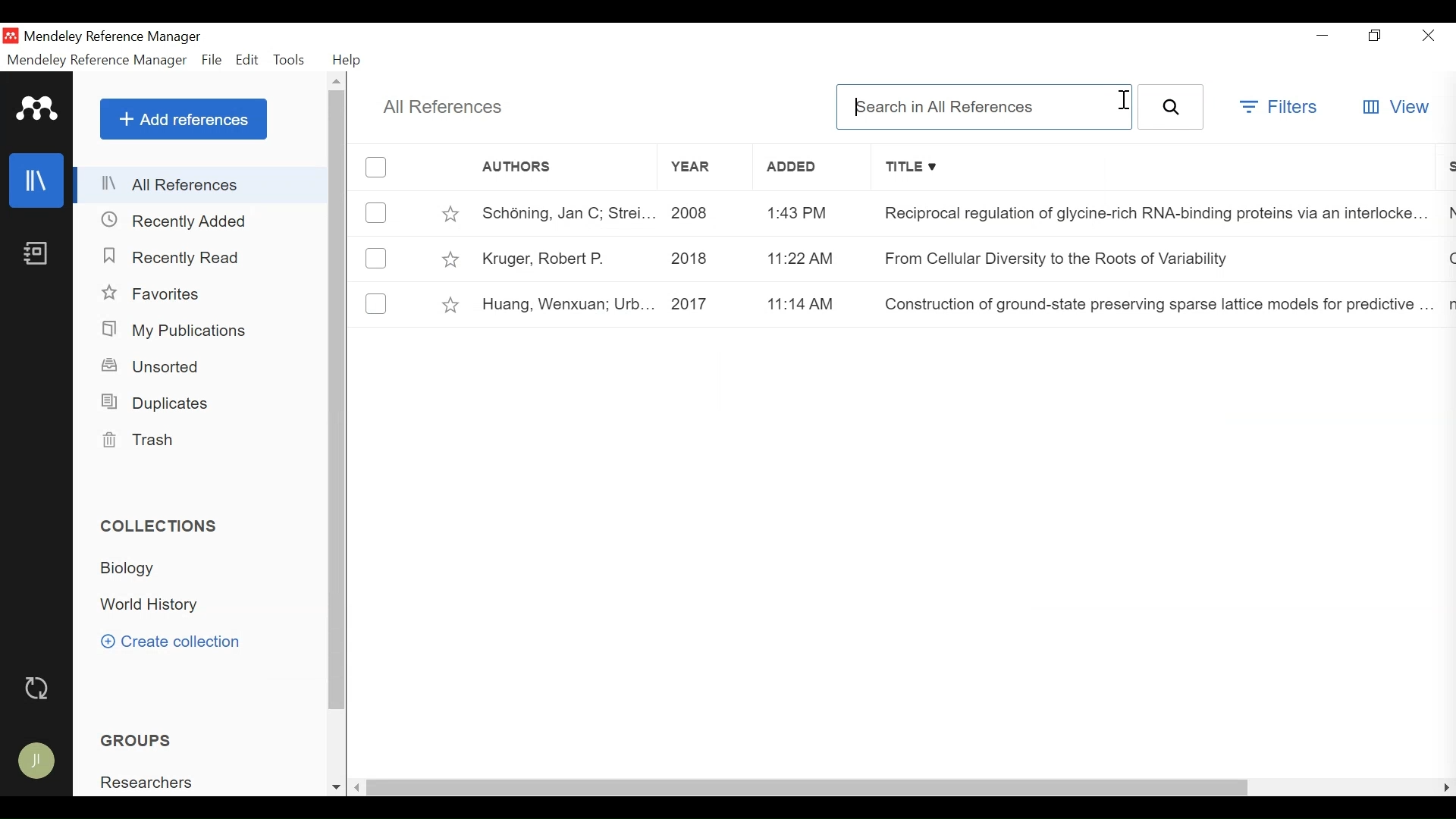 This screenshot has width=1456, height=819. What do you see at coordinates (36, 688) in the screenshot?
I see `Sync` at bounding box center [36, 688].